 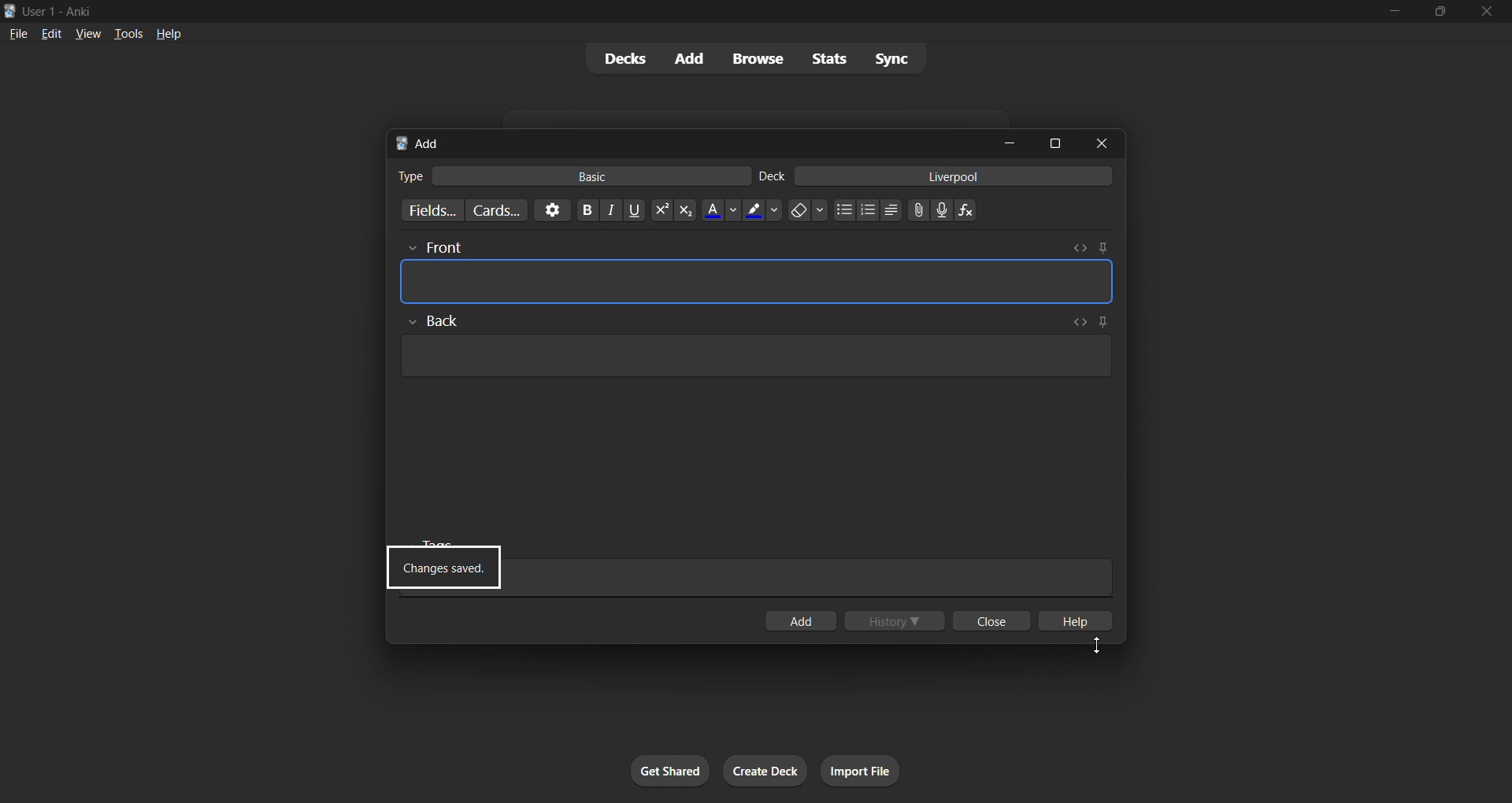 What do you see at coordinates (421, 143) in the screenshot?
I see `add` at bounding box center [421, 143].